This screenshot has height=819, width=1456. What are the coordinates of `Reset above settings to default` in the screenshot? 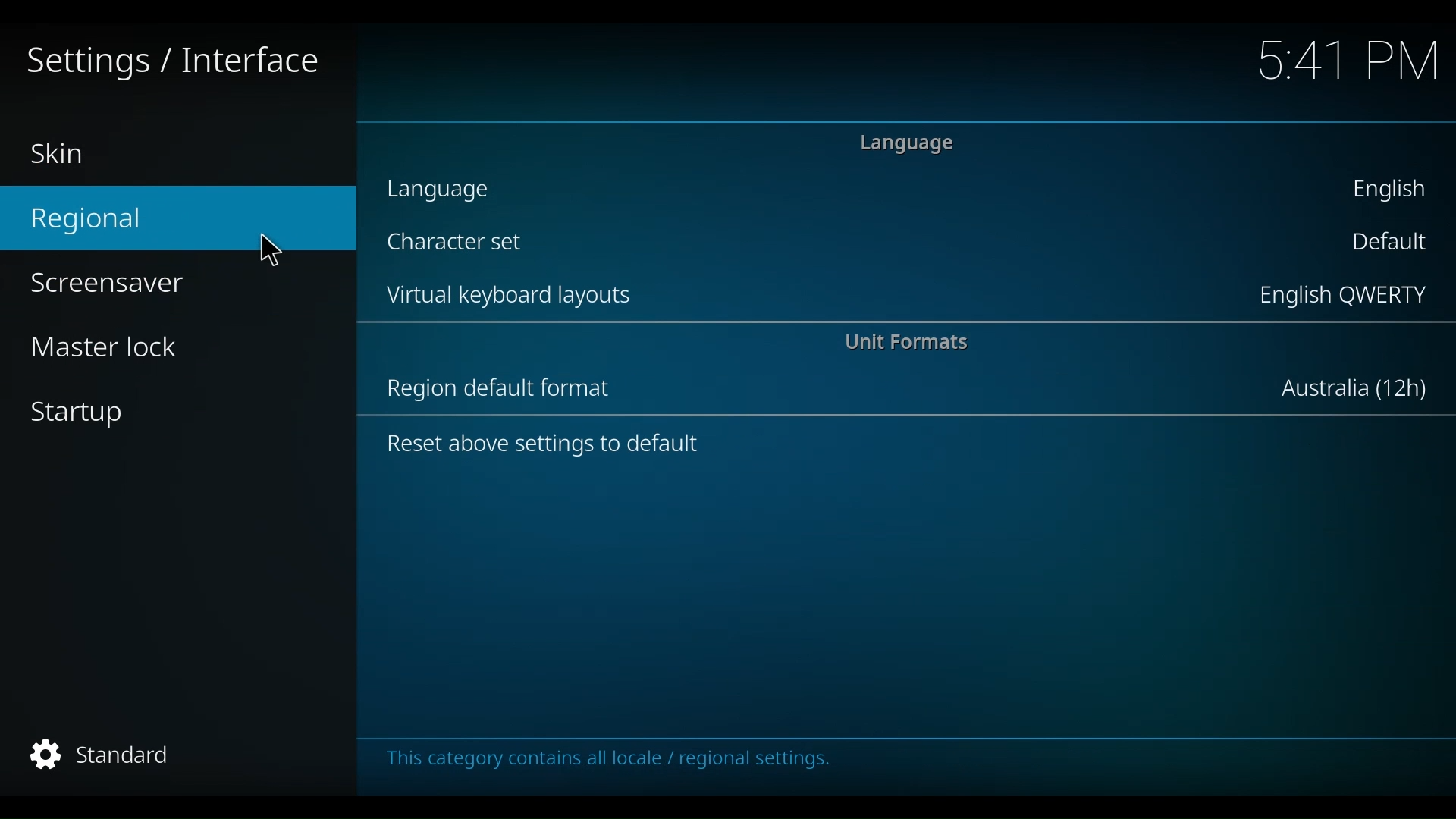 It's located at (547, 444).